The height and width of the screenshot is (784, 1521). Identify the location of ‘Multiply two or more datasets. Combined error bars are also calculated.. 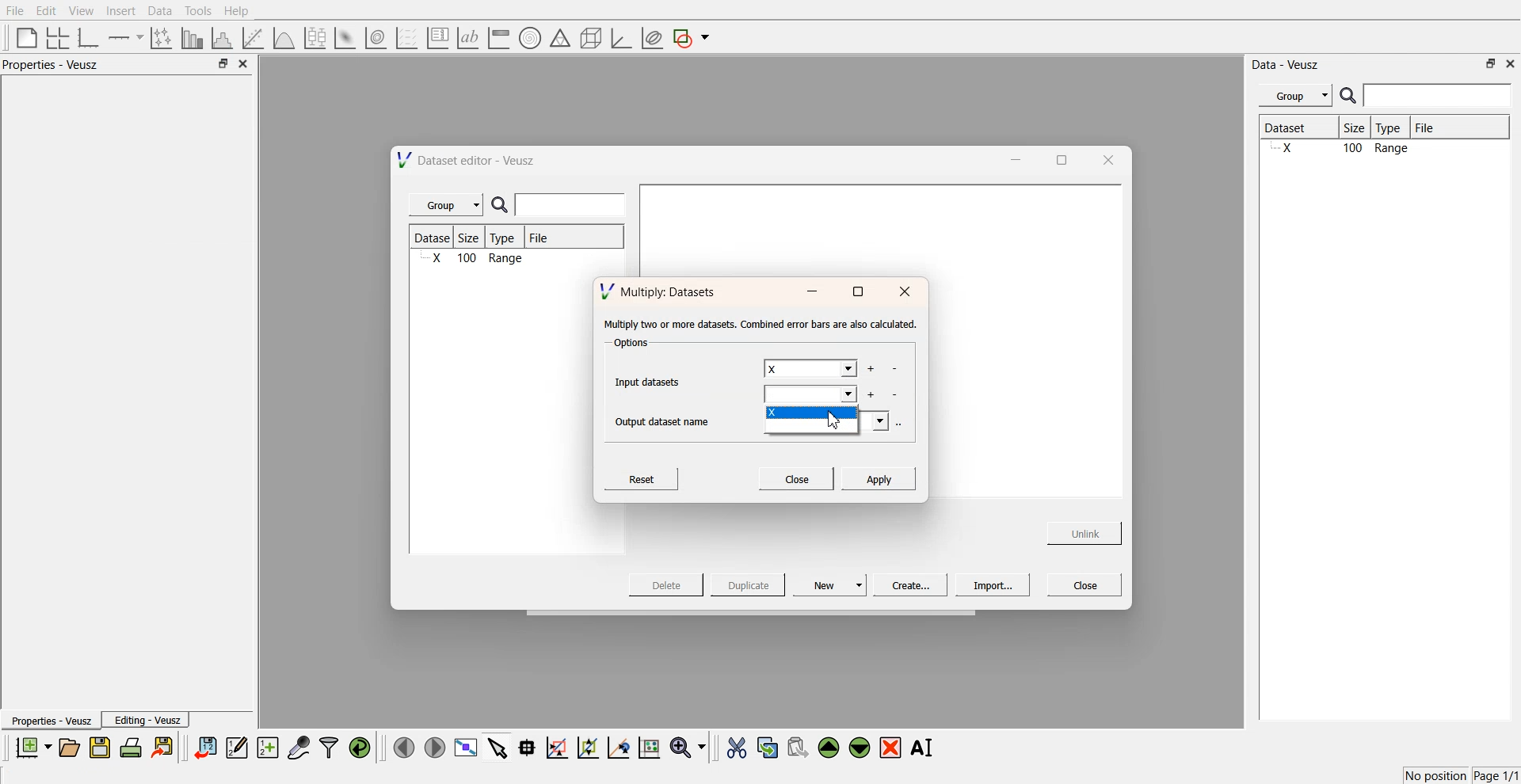
(760, 325).